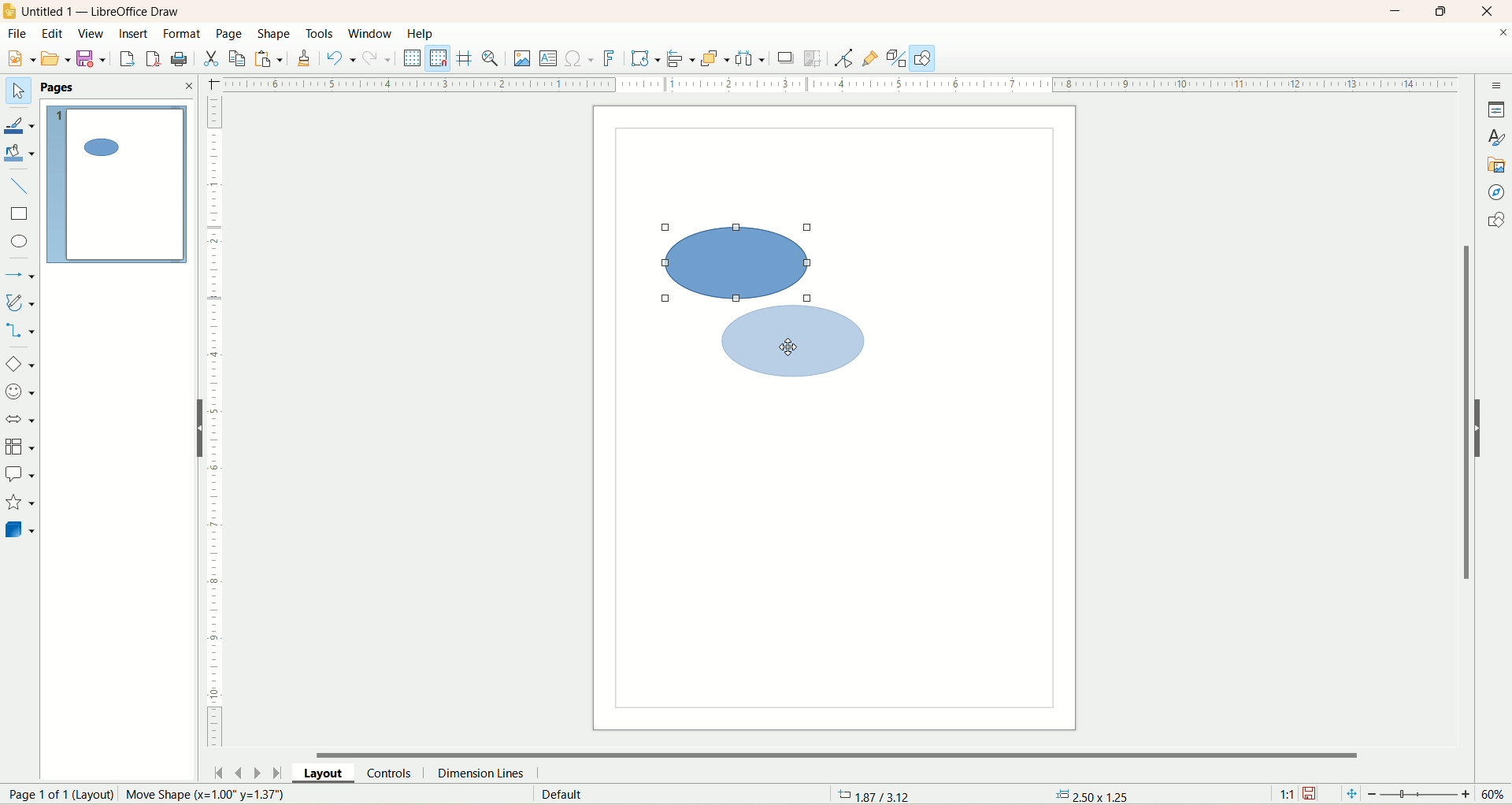 The height and width of the screenshot is (805, 1512). What do you see at coordinates (424, 35) in the screenshot?
I see `help` at bounding box center [424, 35].